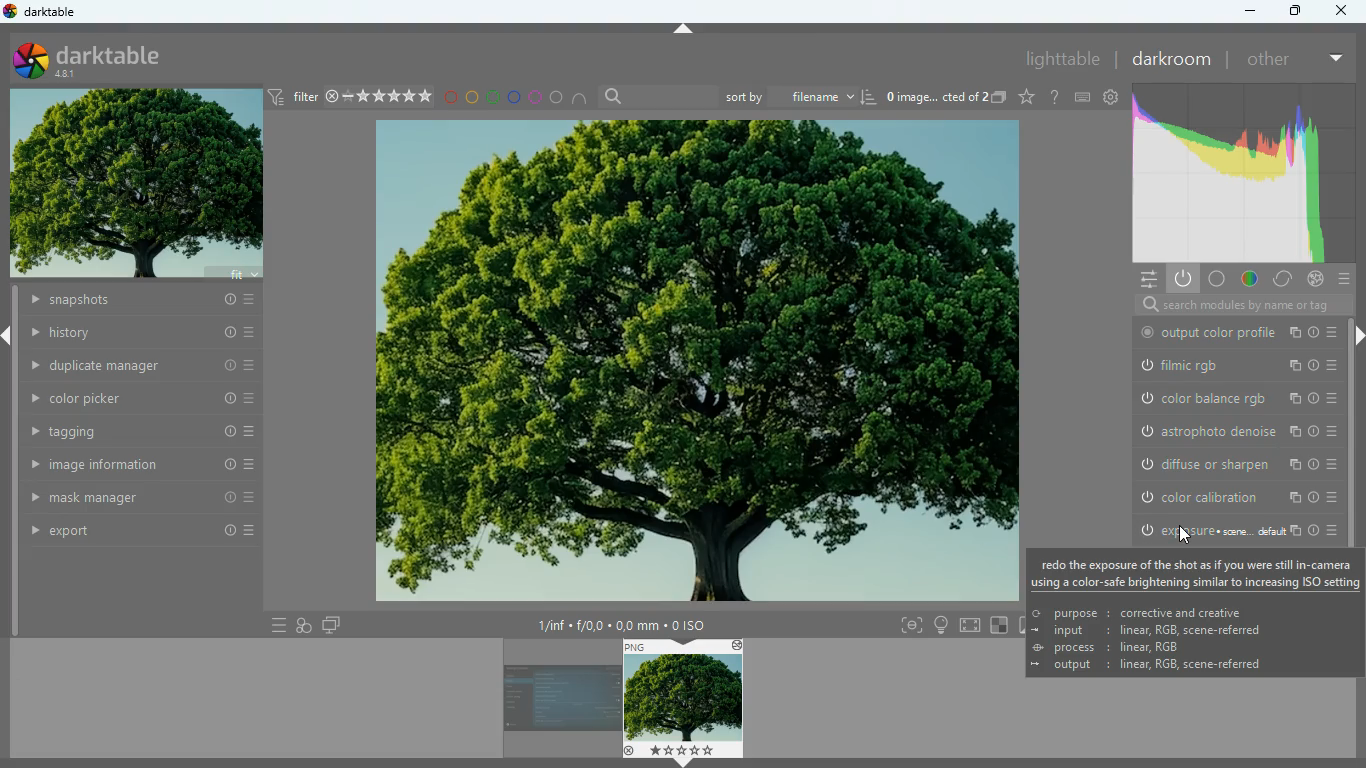  I want to click on semicircle, so click(581, 99).